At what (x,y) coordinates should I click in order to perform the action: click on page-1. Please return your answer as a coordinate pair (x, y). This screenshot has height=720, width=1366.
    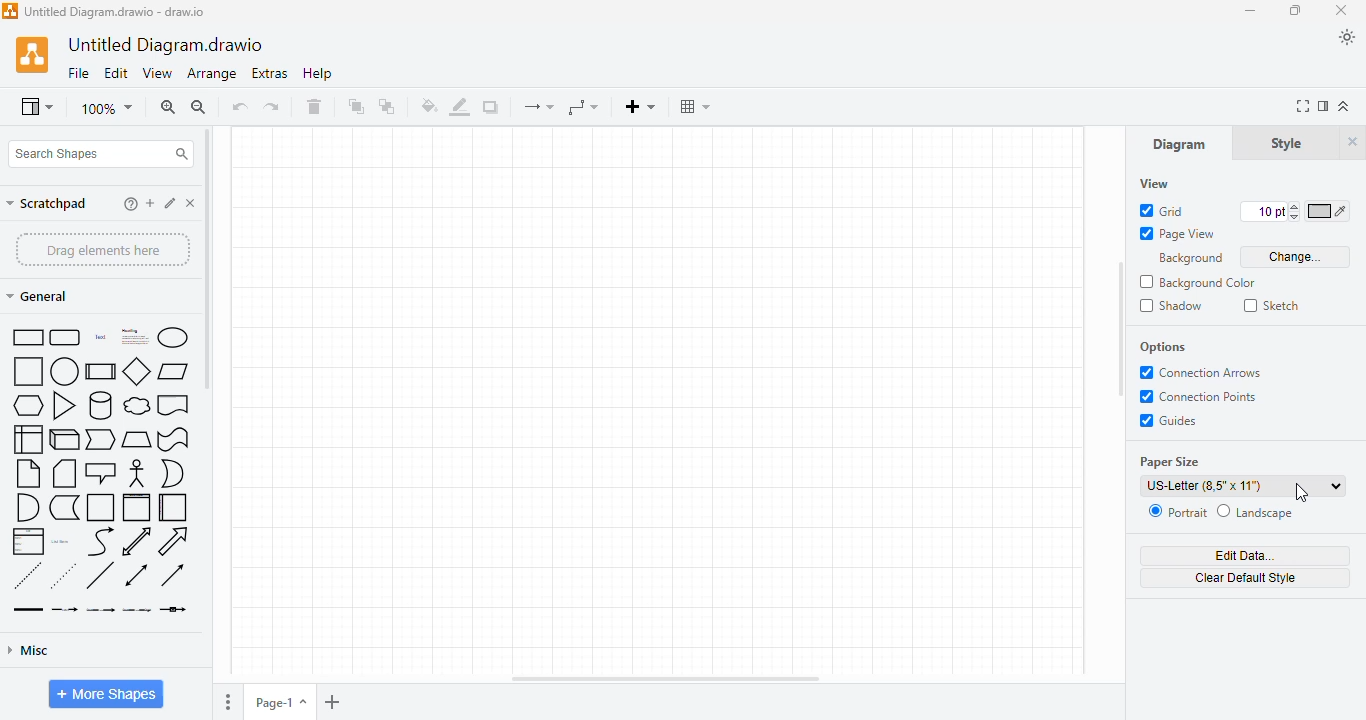
    Looking at the image, I should click on (280, 703).